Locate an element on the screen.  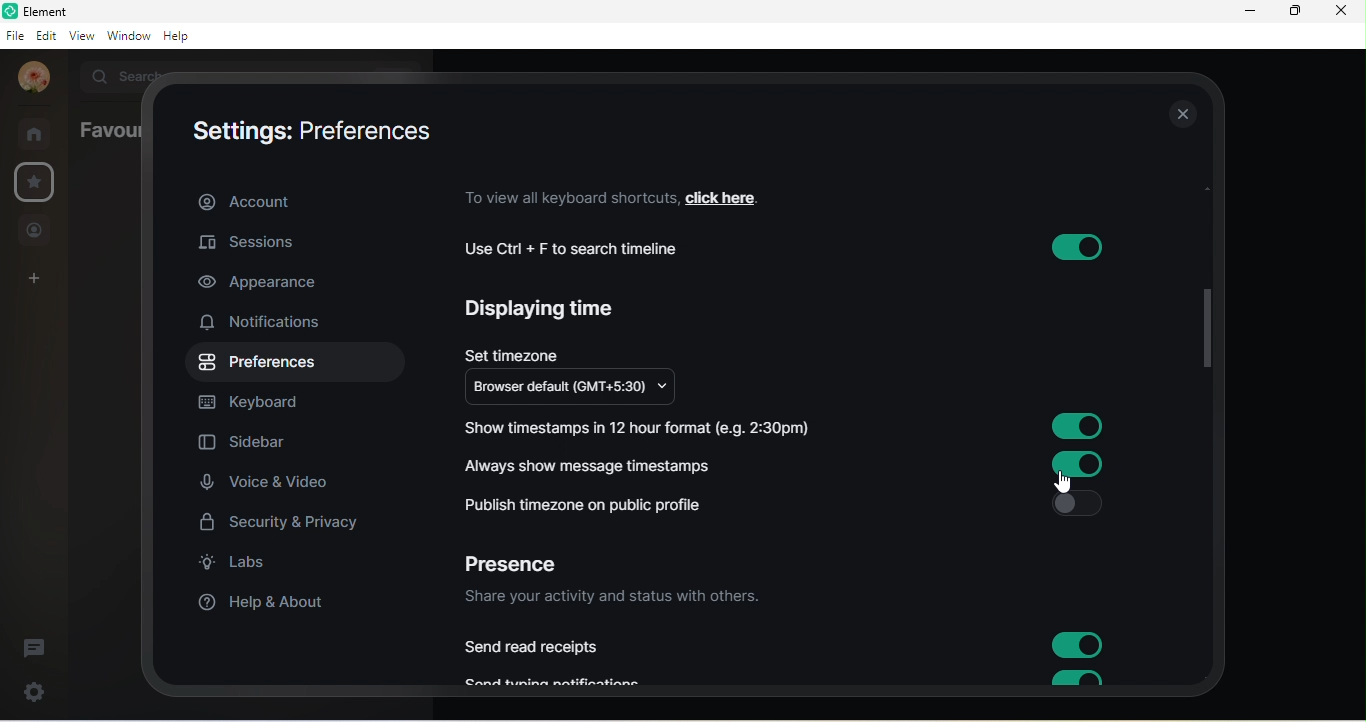
Send typing notifications is located at coordinates (564, 681).